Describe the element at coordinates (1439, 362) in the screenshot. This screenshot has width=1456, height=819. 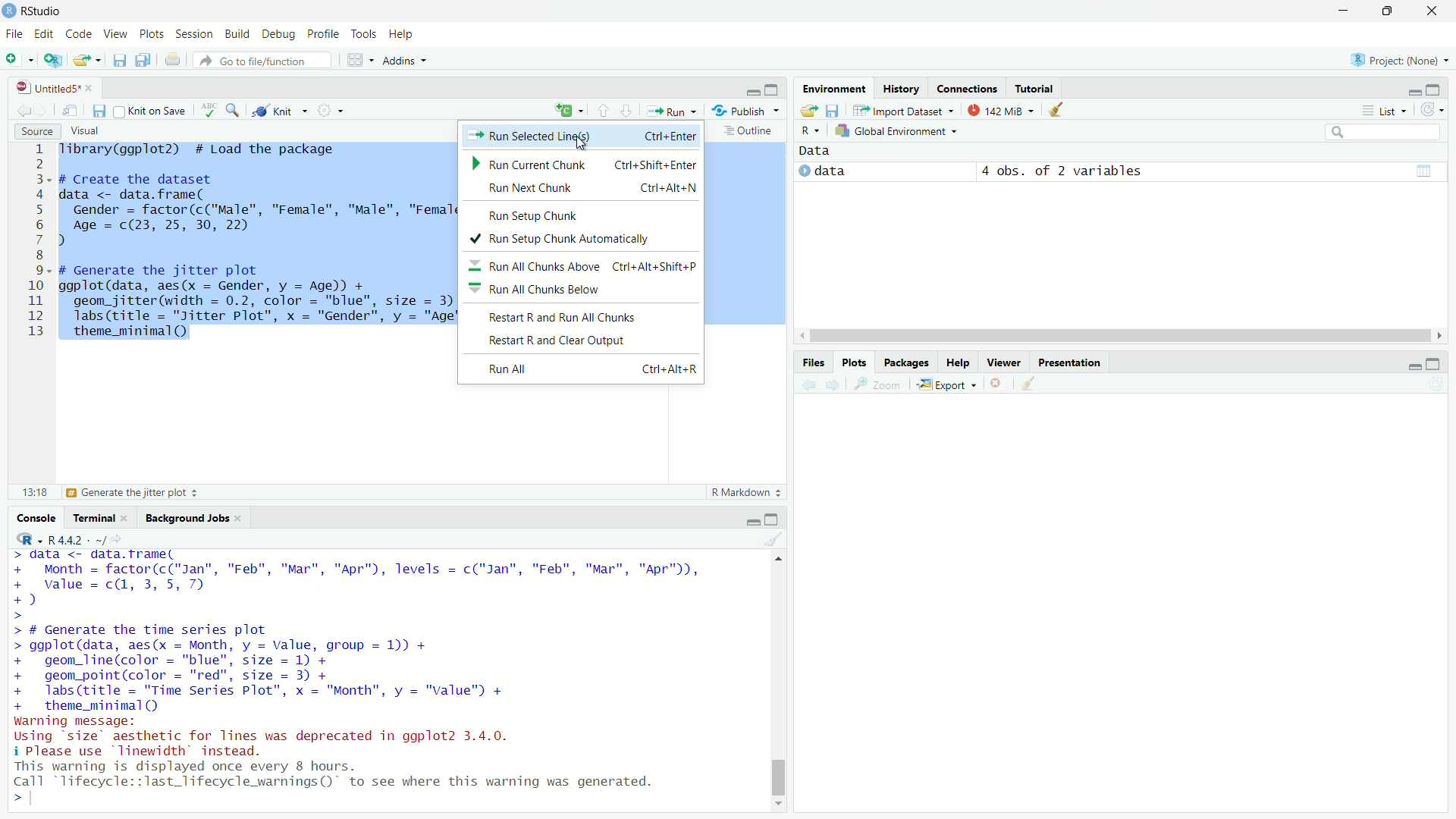
I see `maximize` at that location.